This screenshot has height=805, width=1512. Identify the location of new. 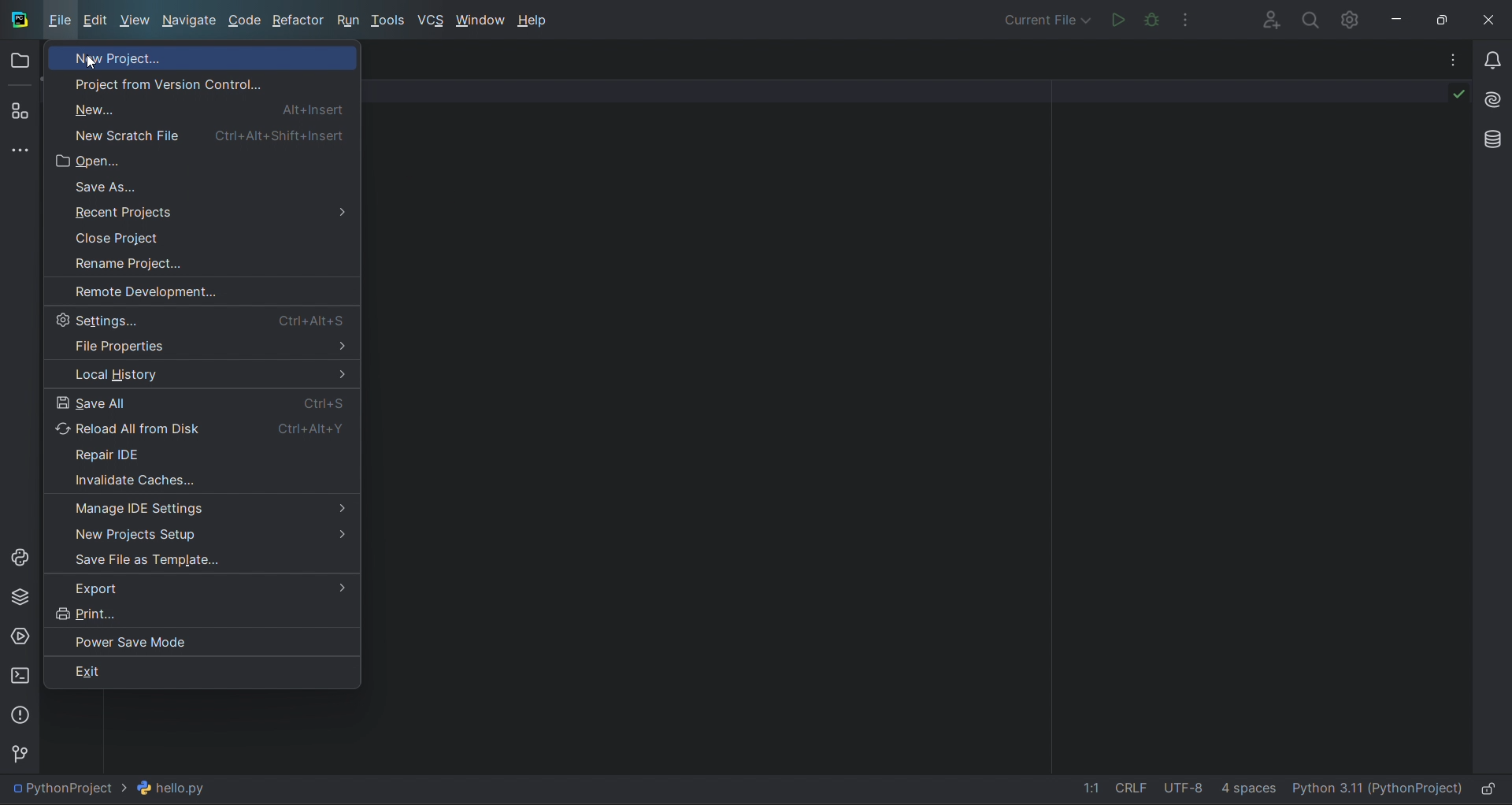
(202, 108).